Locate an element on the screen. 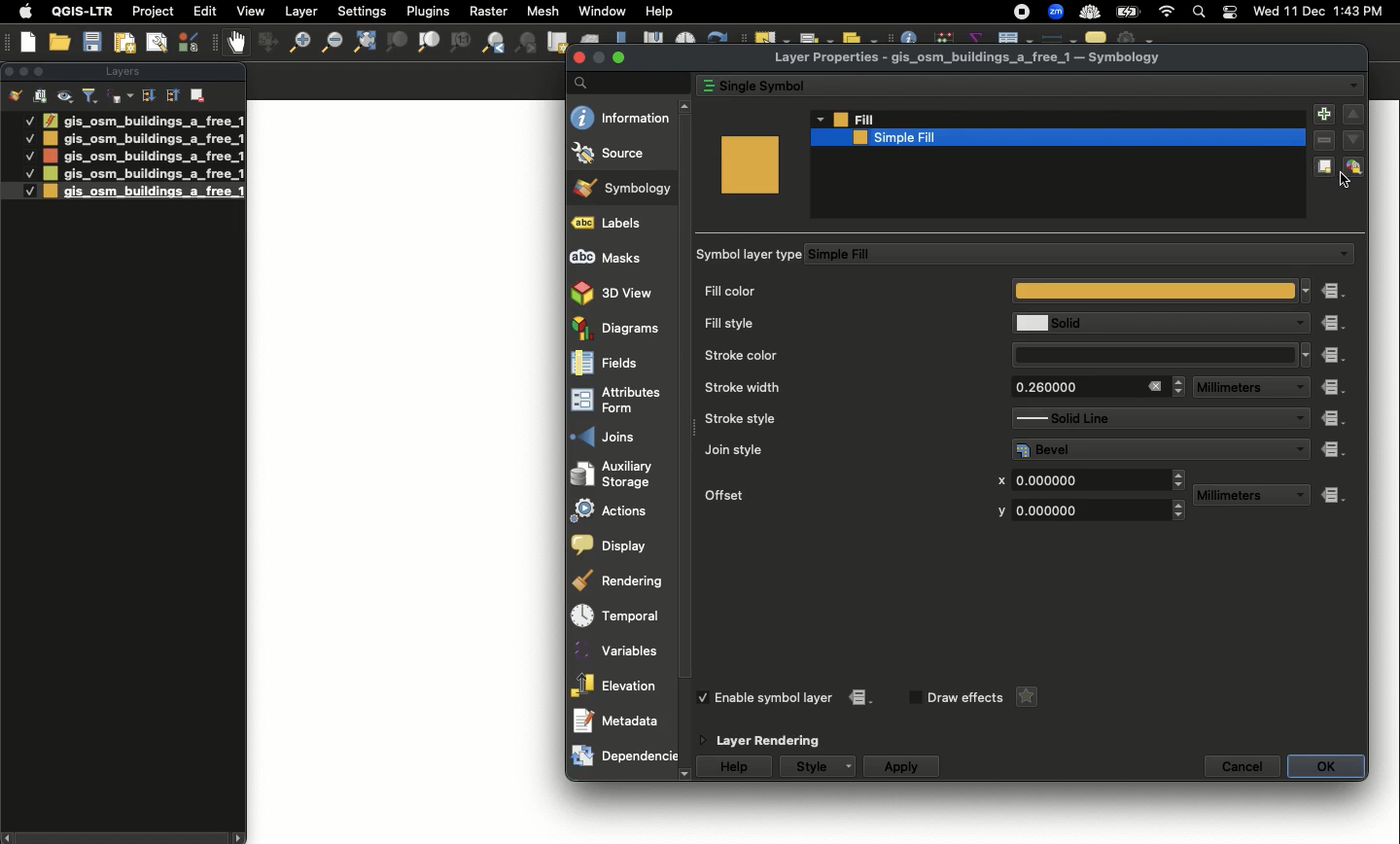 This screenshot has height=844, width=1400.  0.000000 is located at coordinates (1088, 478).